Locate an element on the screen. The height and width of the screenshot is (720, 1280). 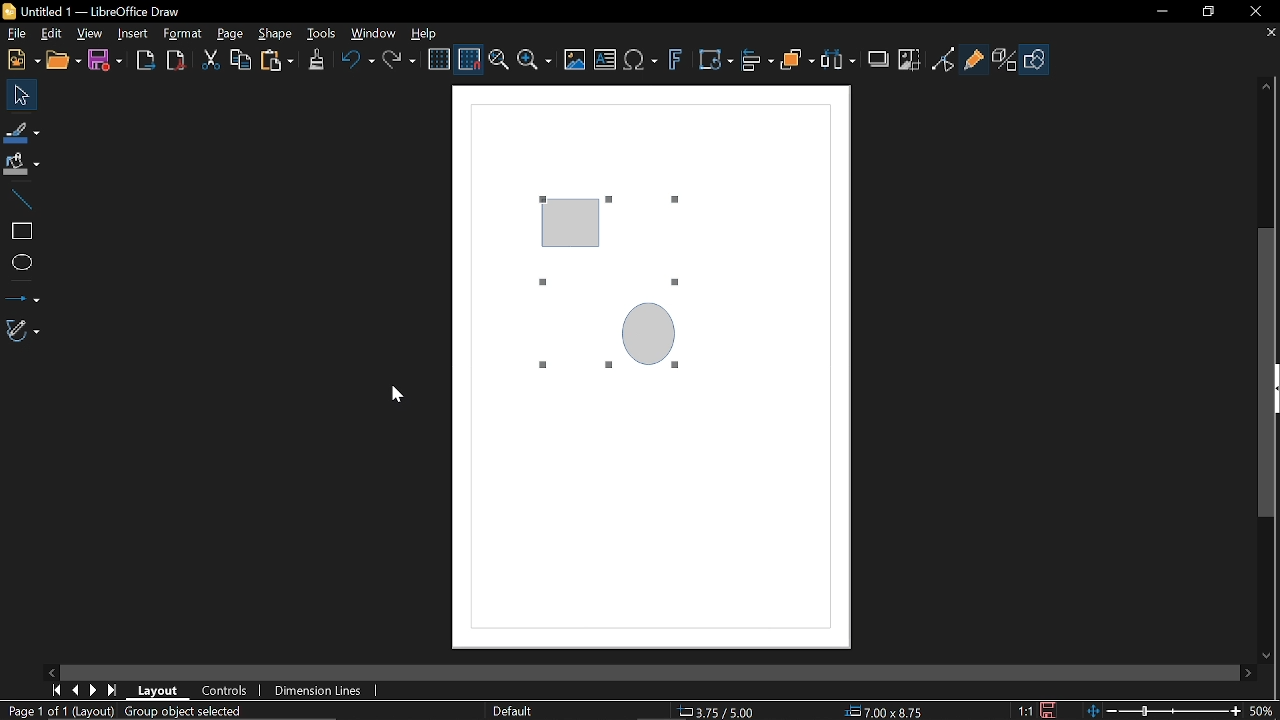
Insert equation is located at coordinates (643, 60).